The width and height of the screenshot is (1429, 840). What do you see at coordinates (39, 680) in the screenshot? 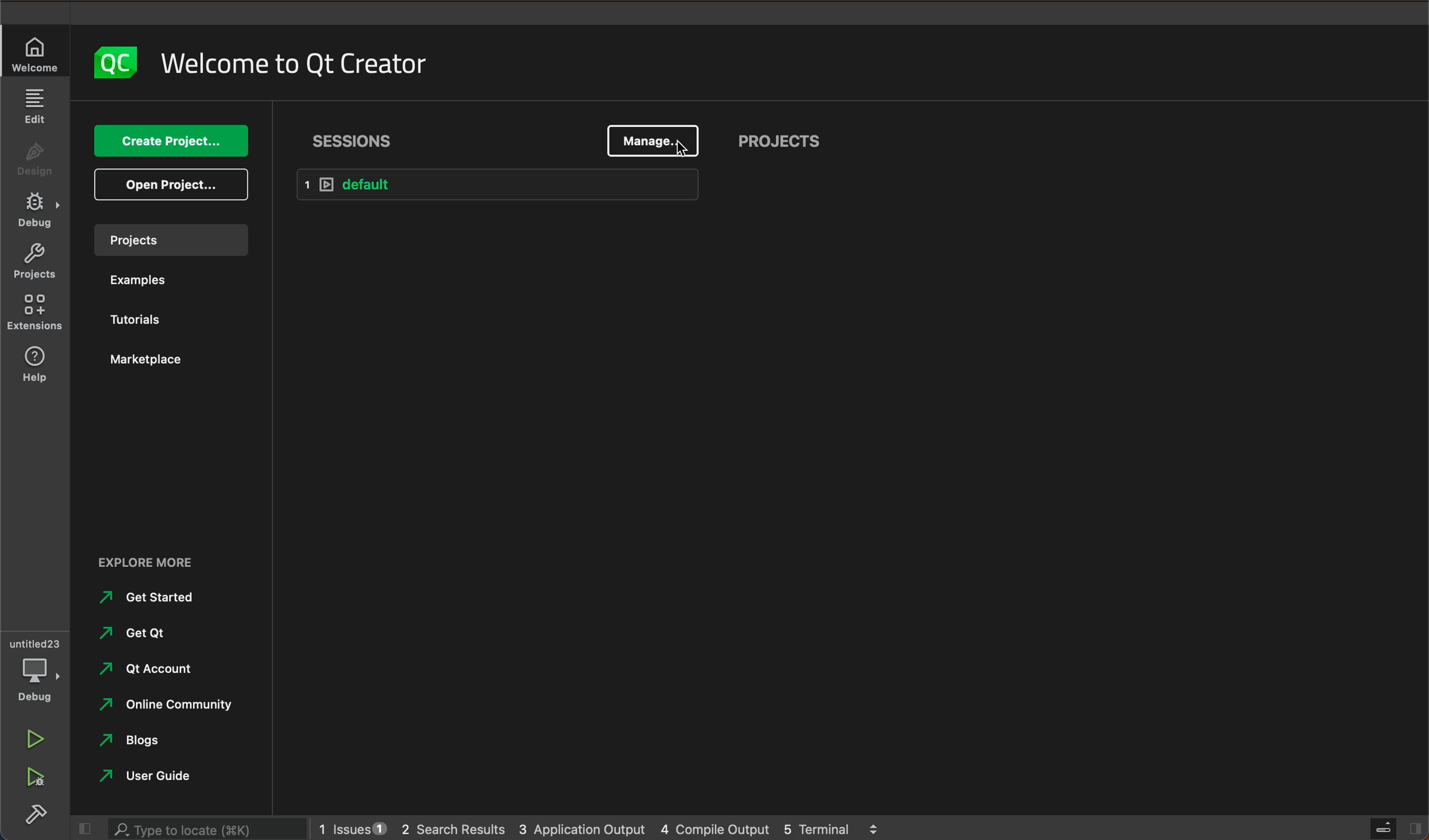
I see `debug` at bounding box center [39, 680].